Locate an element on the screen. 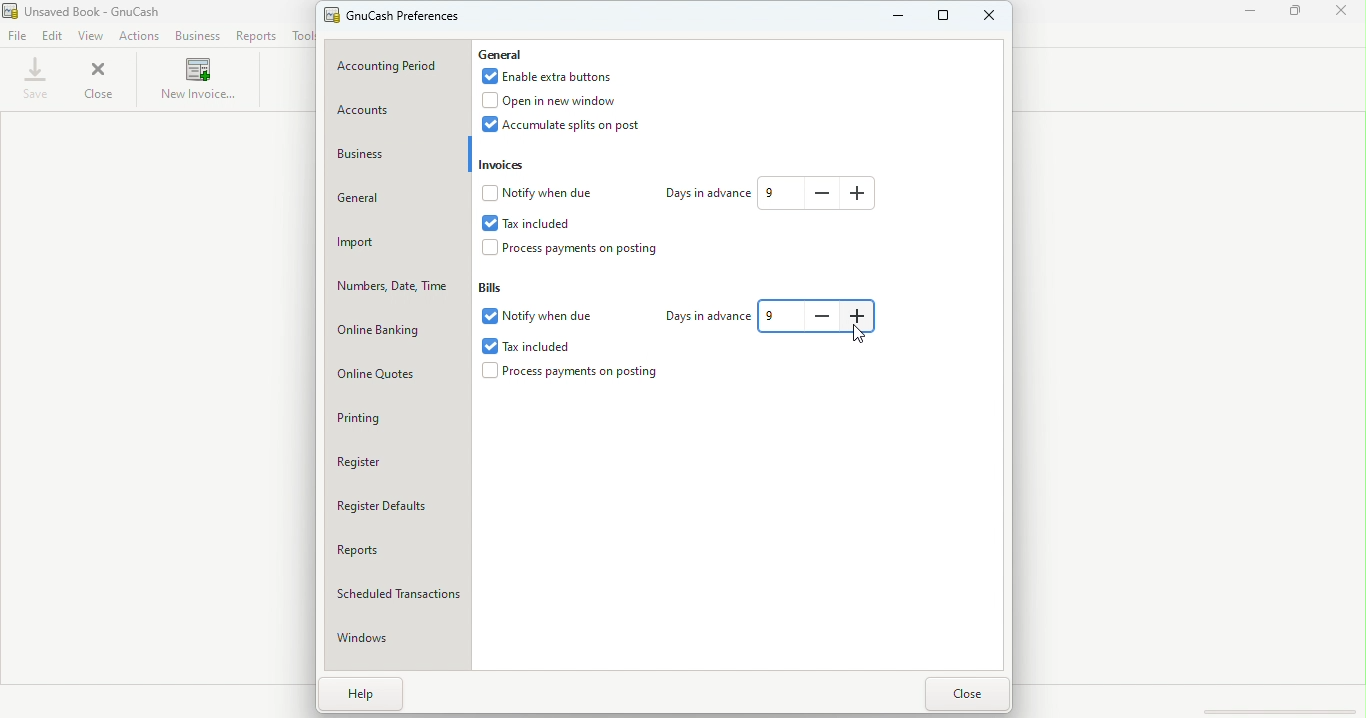 This screenshot has width=1366, height=718. Days in advance is located at coordinates (709, 317).